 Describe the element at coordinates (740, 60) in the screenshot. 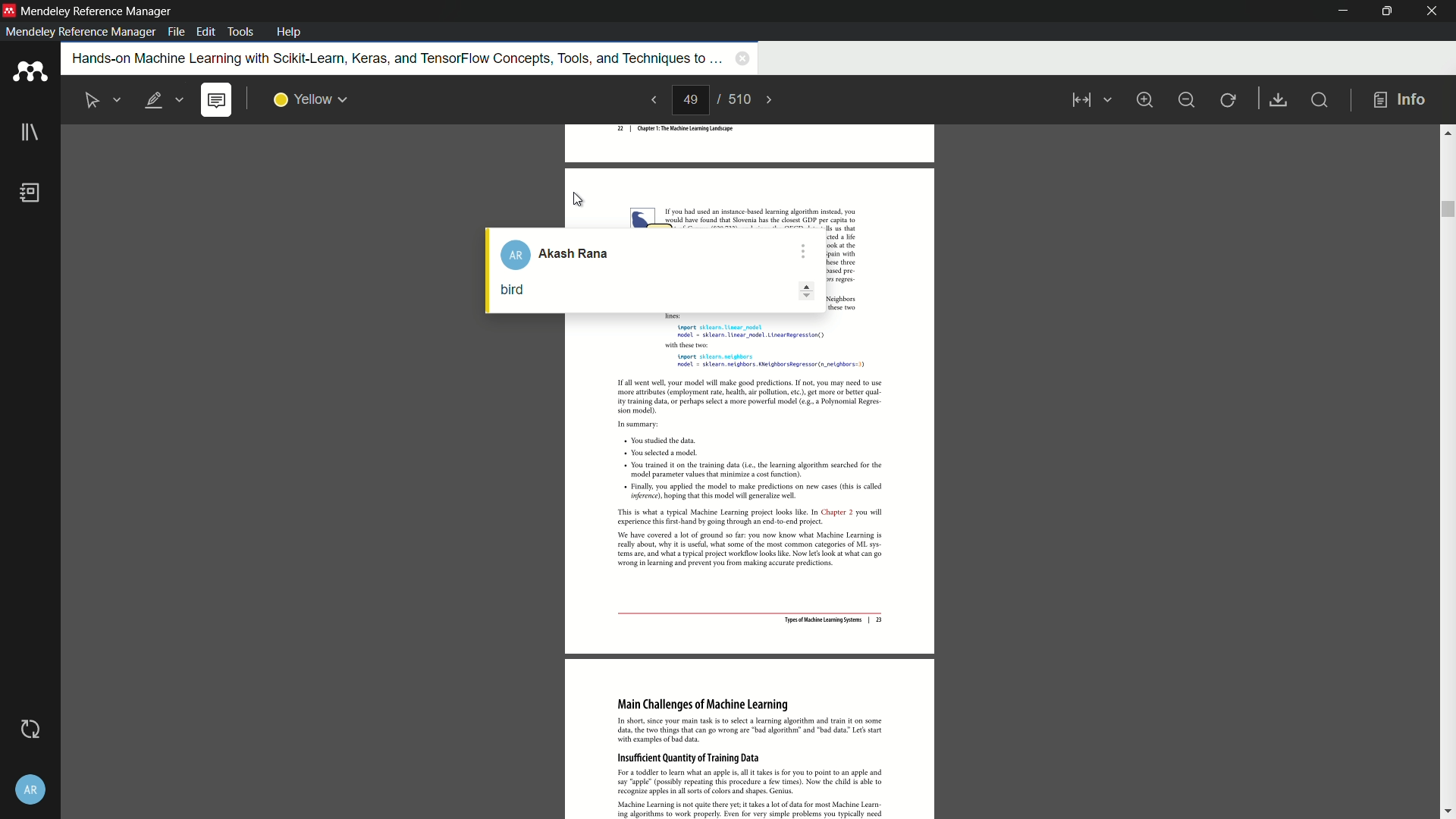

I see `close book` at that location.